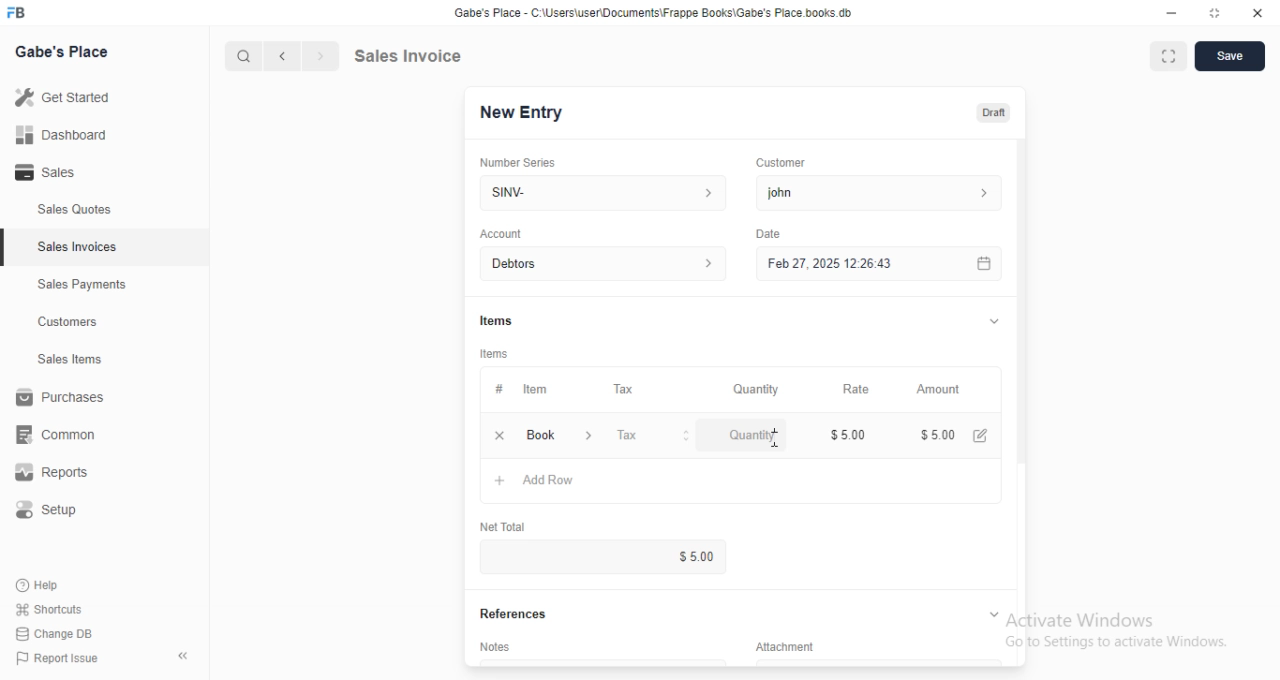 The height and width of the screenshot is (680, 1280). Describe the element at coordinates (80, 248) in the screenshot. I see `Sales Invoices` at that location.